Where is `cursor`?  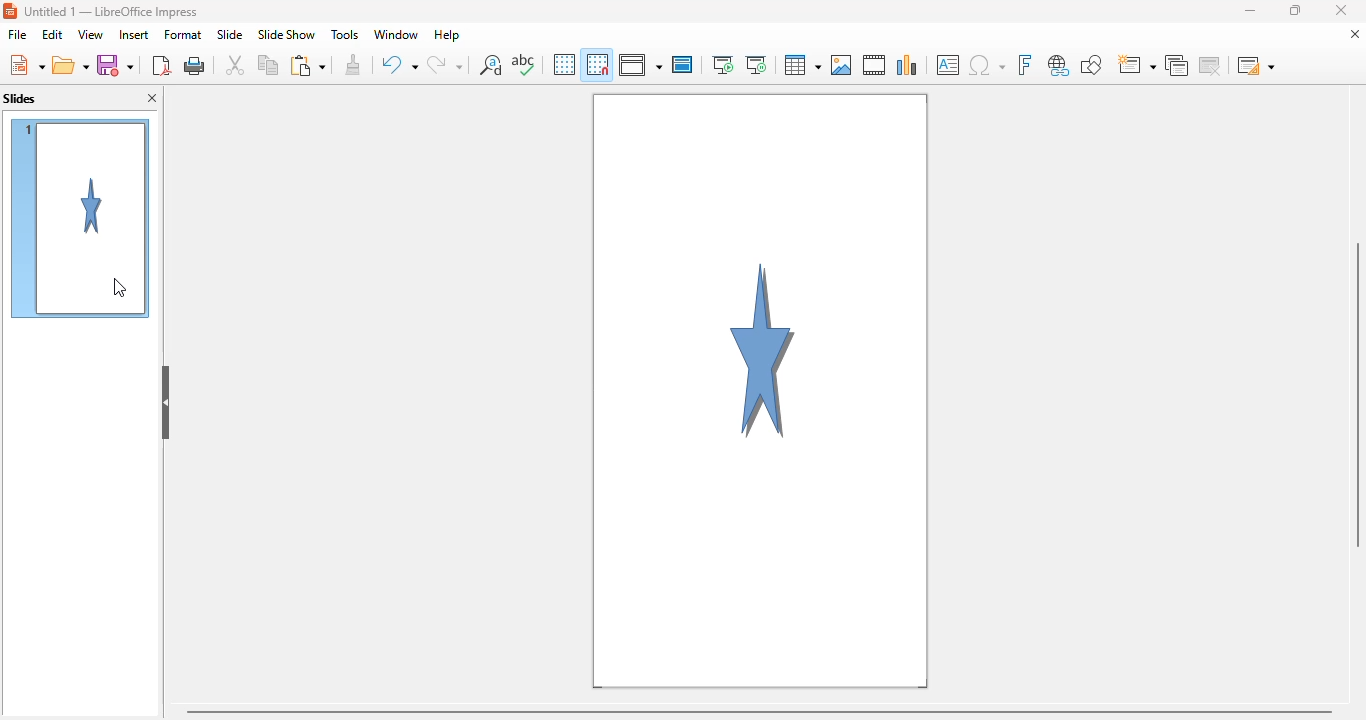 cursor is located at coordinates (120, 287).